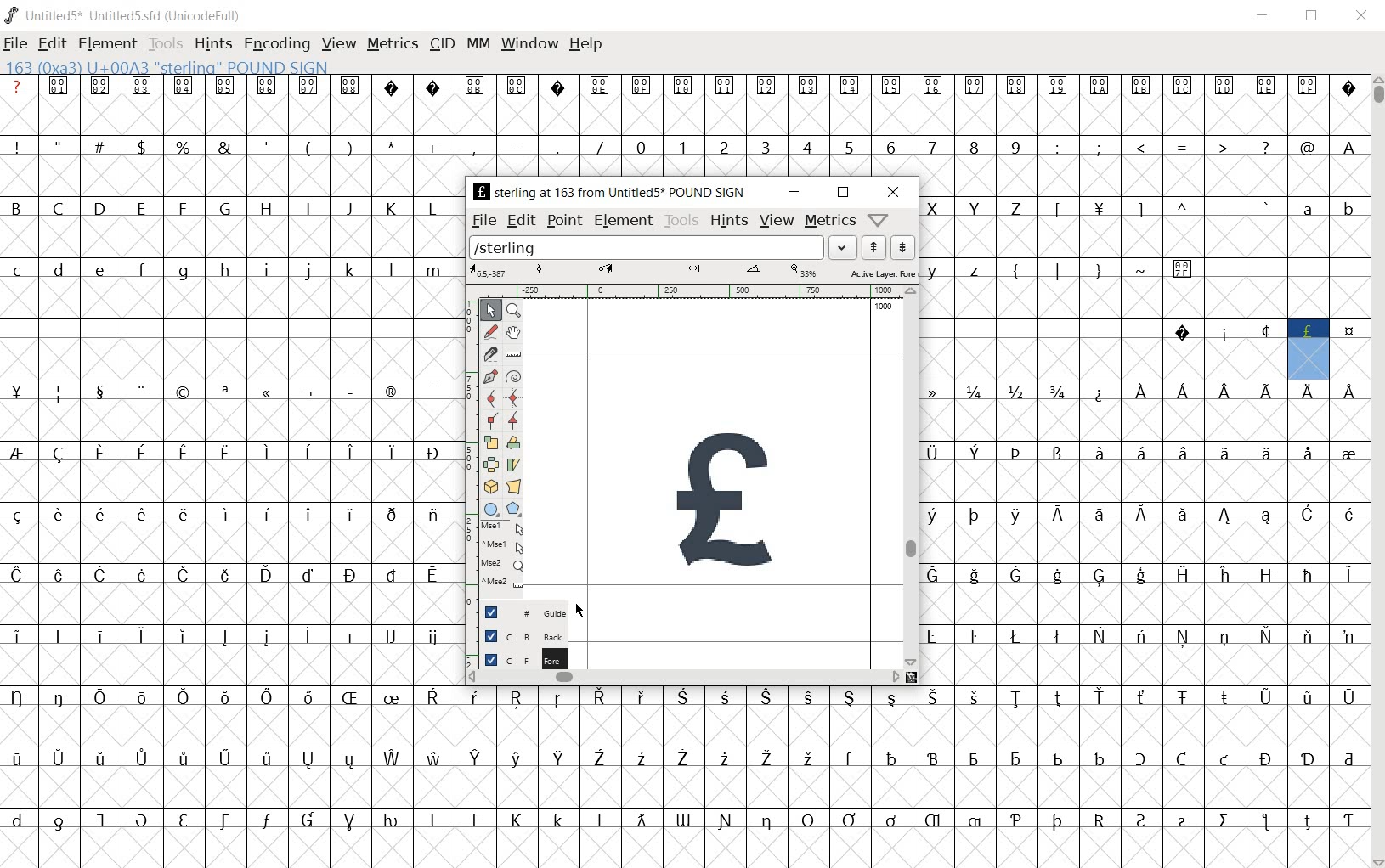 This screenshot has width=1385, height=868. What do you see at coordinates (1225, 389) in the screenshot?
I see `` at bounding box center [1225, 389].